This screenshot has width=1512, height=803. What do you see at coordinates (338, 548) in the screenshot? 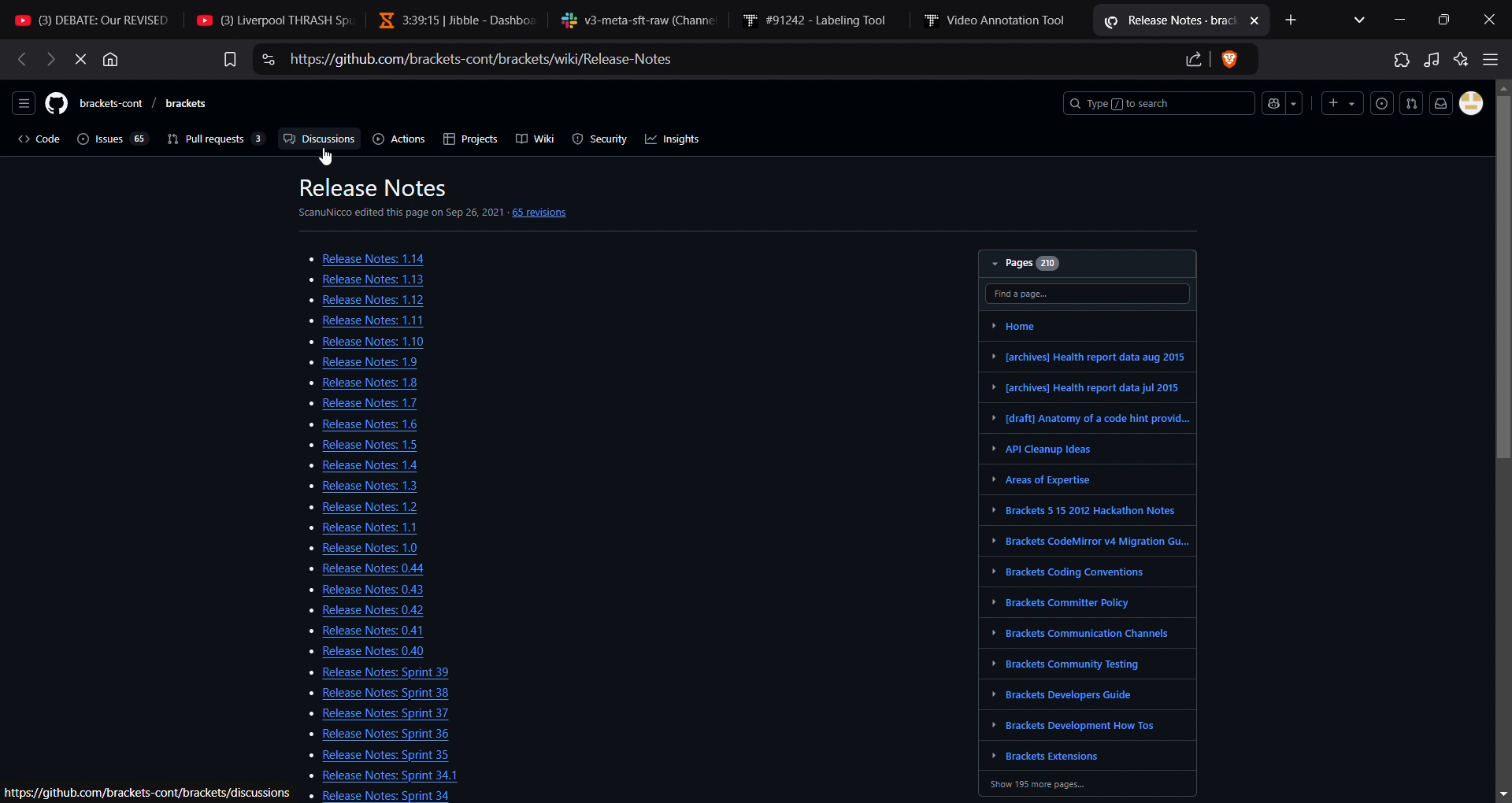
I see `o Release Notes: 1.0` at bounding box center [338, 548].